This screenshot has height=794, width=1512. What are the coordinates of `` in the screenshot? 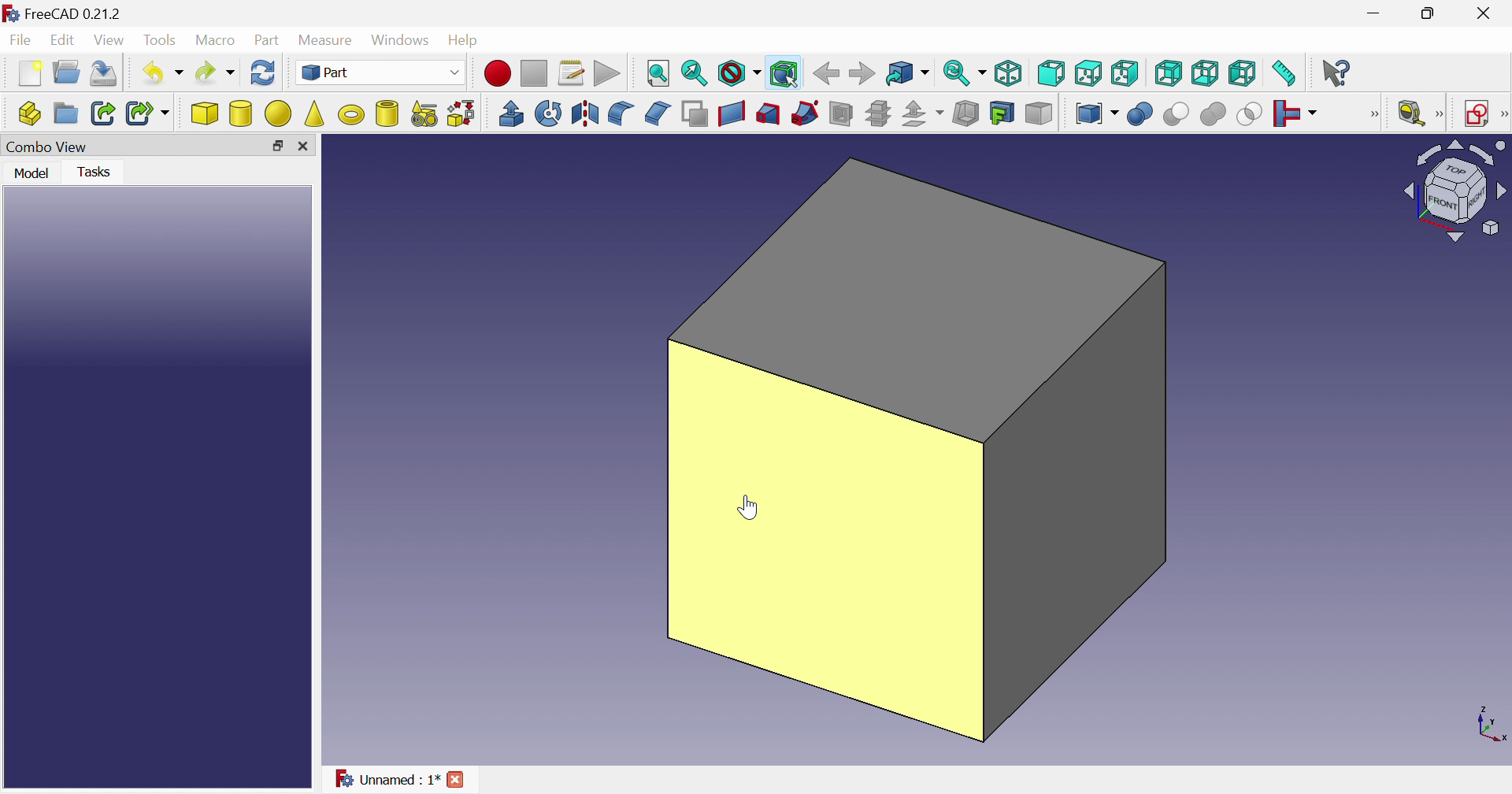 It's located at (880, 113).